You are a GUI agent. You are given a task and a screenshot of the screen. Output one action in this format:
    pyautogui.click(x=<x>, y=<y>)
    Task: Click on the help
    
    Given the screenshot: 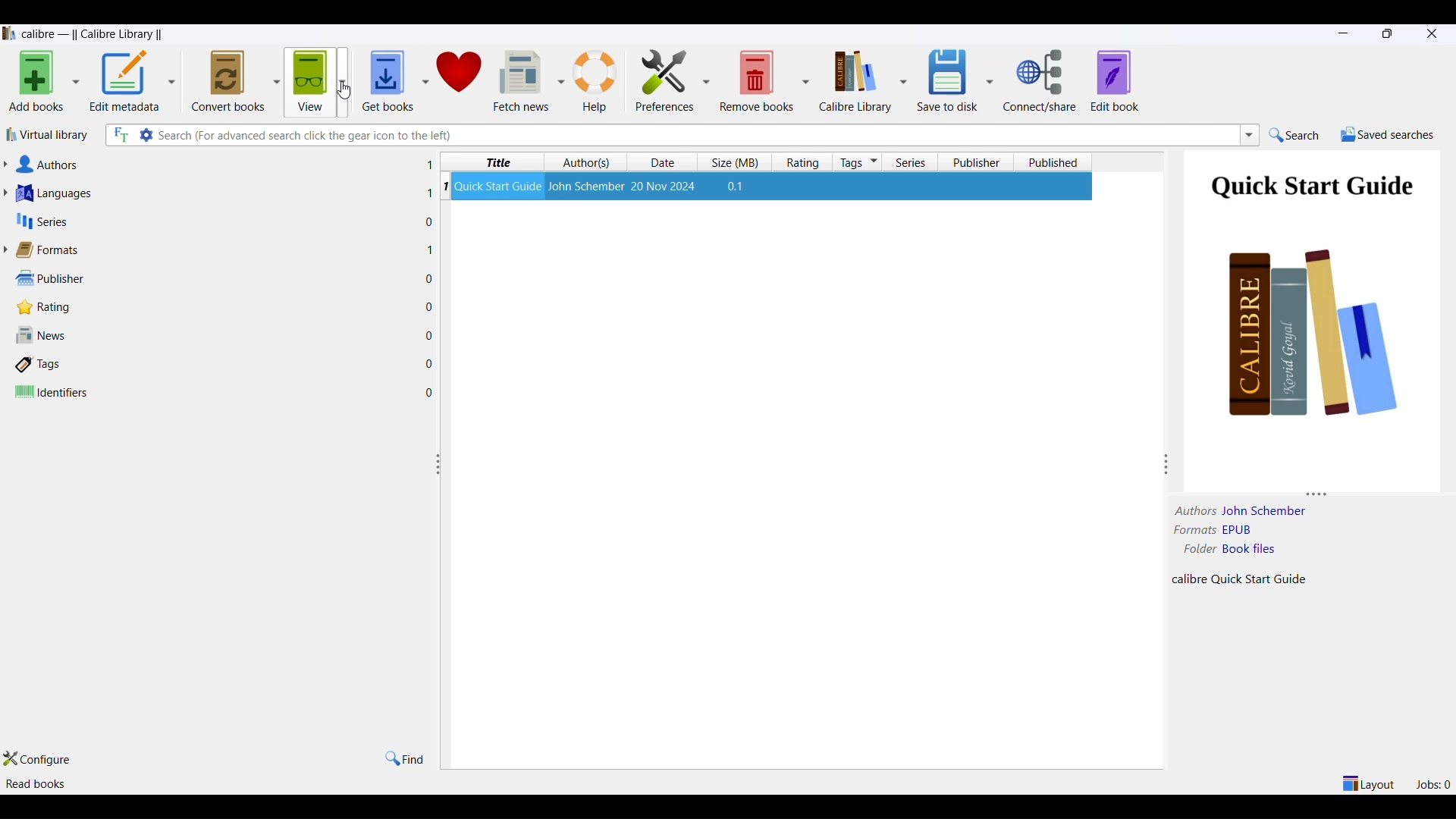 What is the action you would take?
    pyautogui.click(x=598, y=80)
    